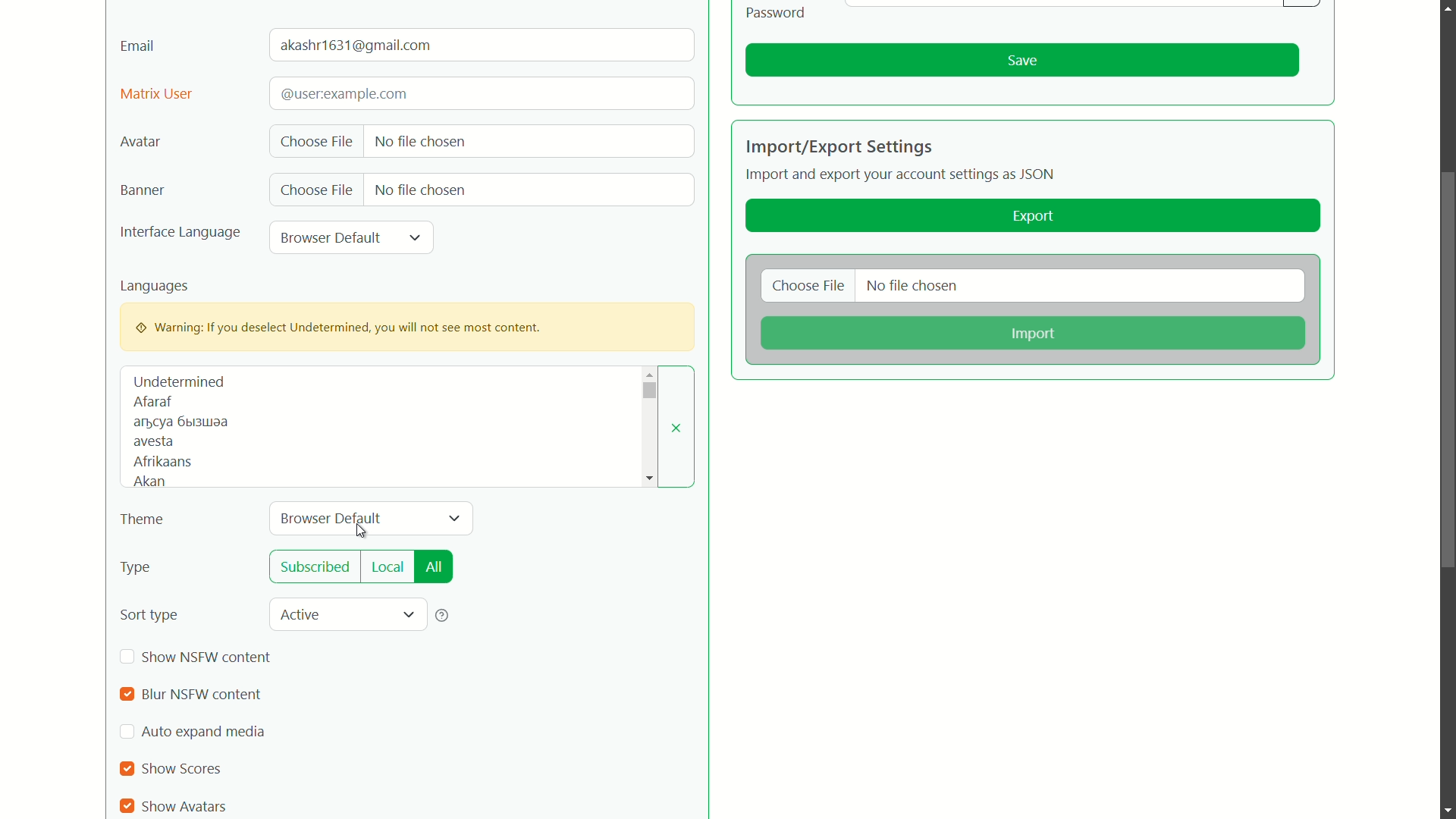 The width and height of the screenshot is (1456, 819). What do you see at coordinates (316, 567) in the screenshot?
I see `subscribed` at bounding box center [316, 567].